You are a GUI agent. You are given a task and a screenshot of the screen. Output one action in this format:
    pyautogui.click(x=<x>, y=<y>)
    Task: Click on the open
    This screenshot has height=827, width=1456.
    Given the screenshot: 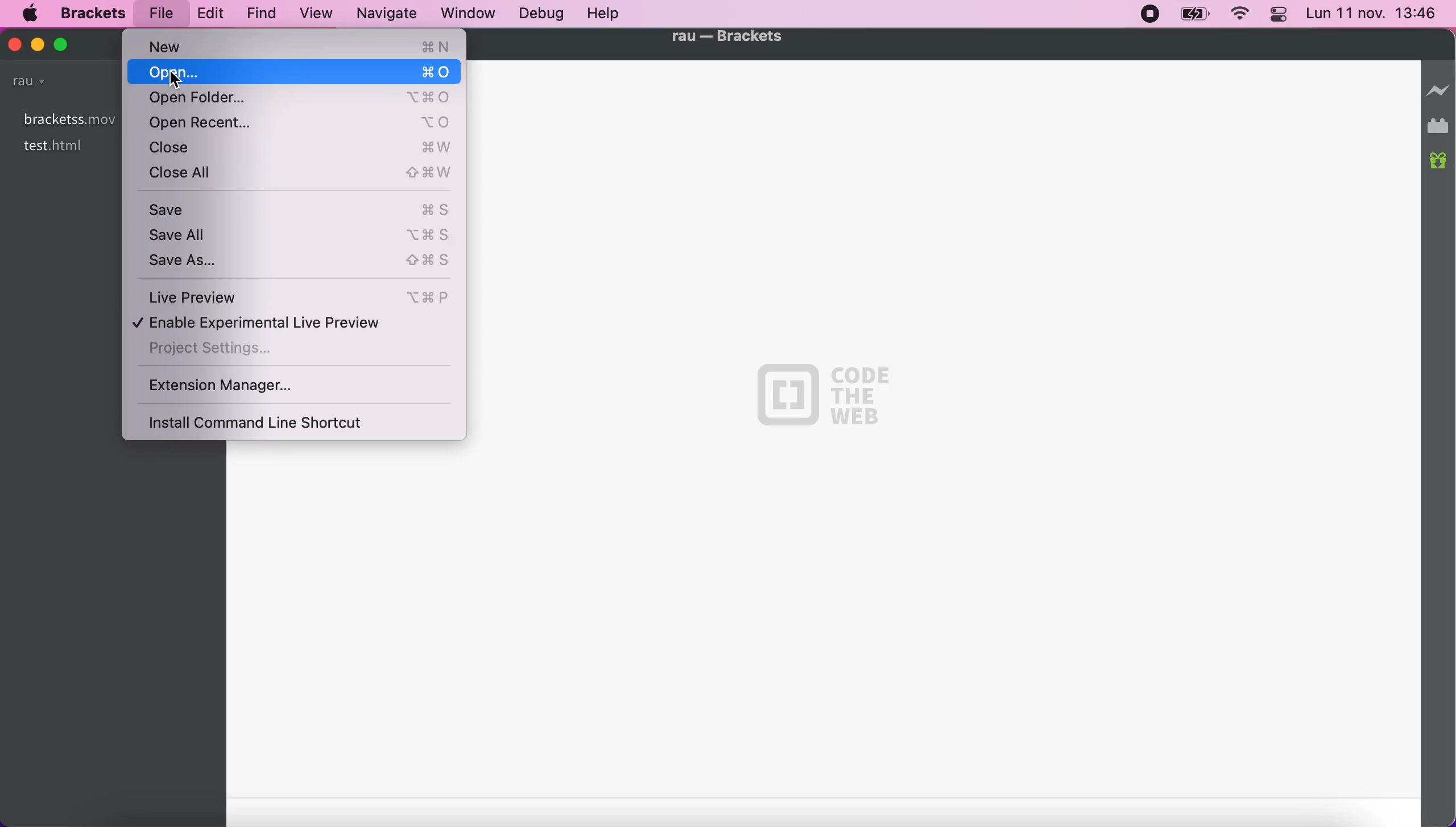 What is the action you would take?
    pyautogui.click(x=143, y=72)
    